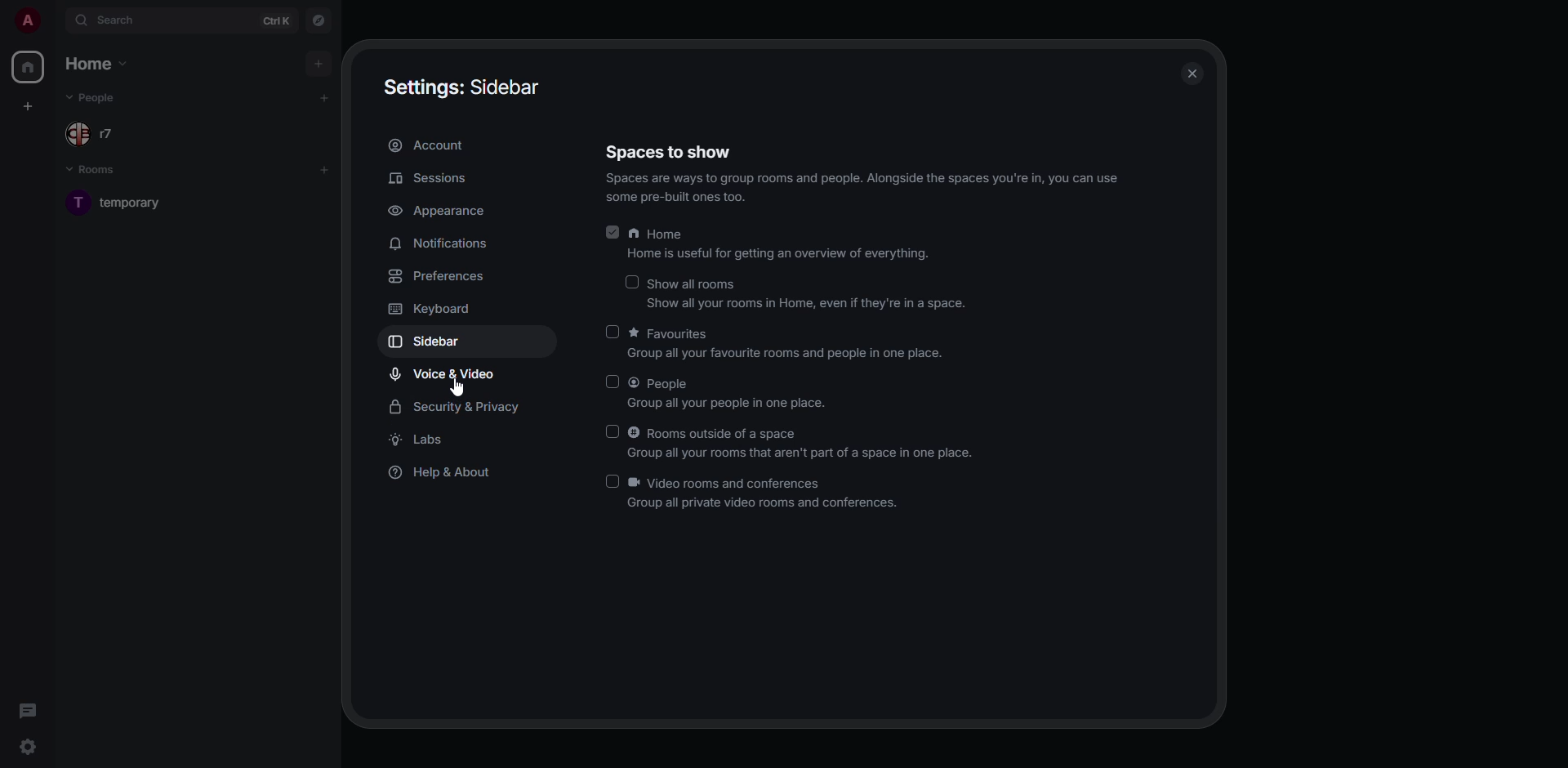 The height and width of the screenshot is (768, 1568). Describe the element at coordinates (777, 355) in the screenshot. I see `Group all your favourite rooms and people in one place.` at that location.